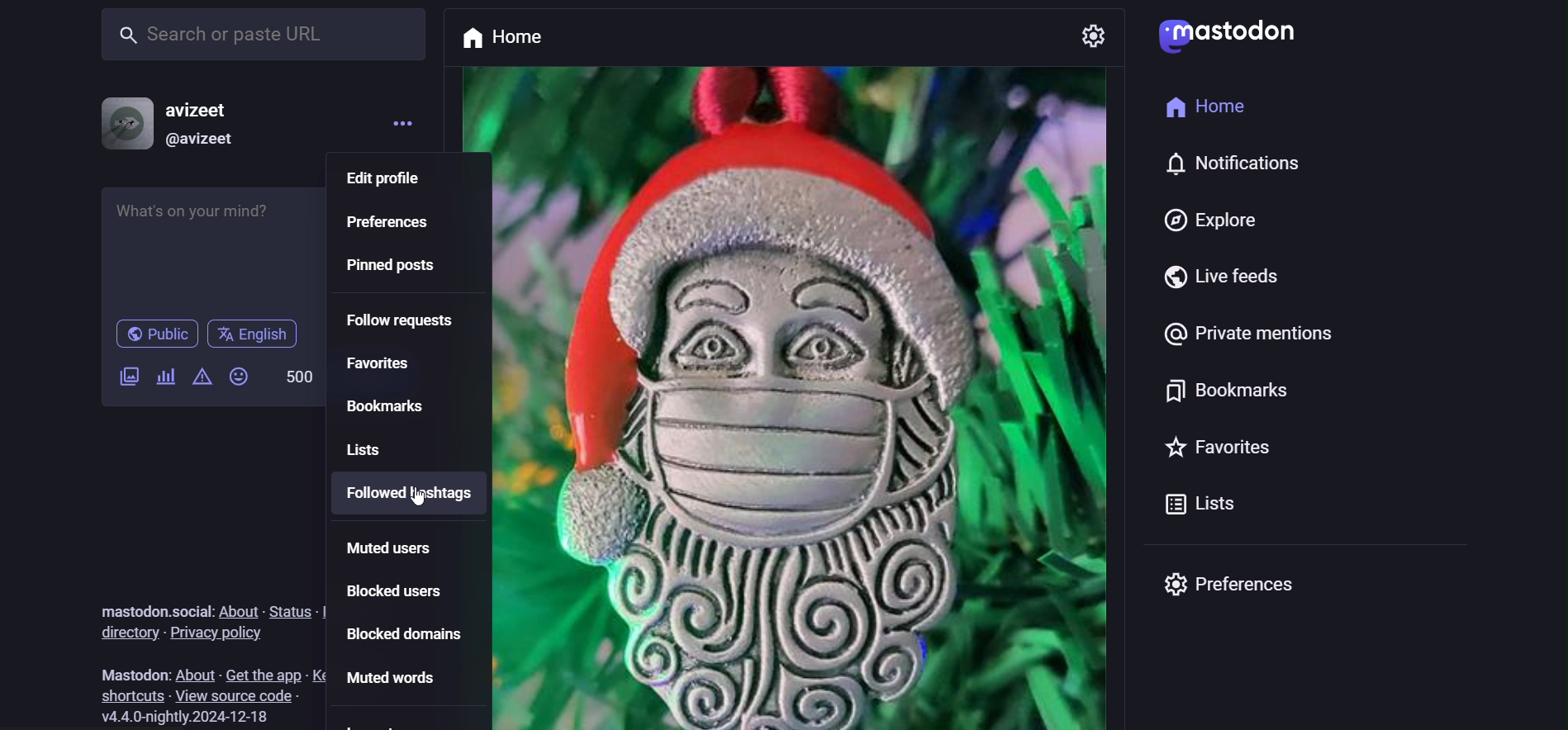 Image resolution: width=1568 pixels, height=730 pixels. Describe the element at coordinates (402, 680) in the screenshot. I see `muted words` at that location.